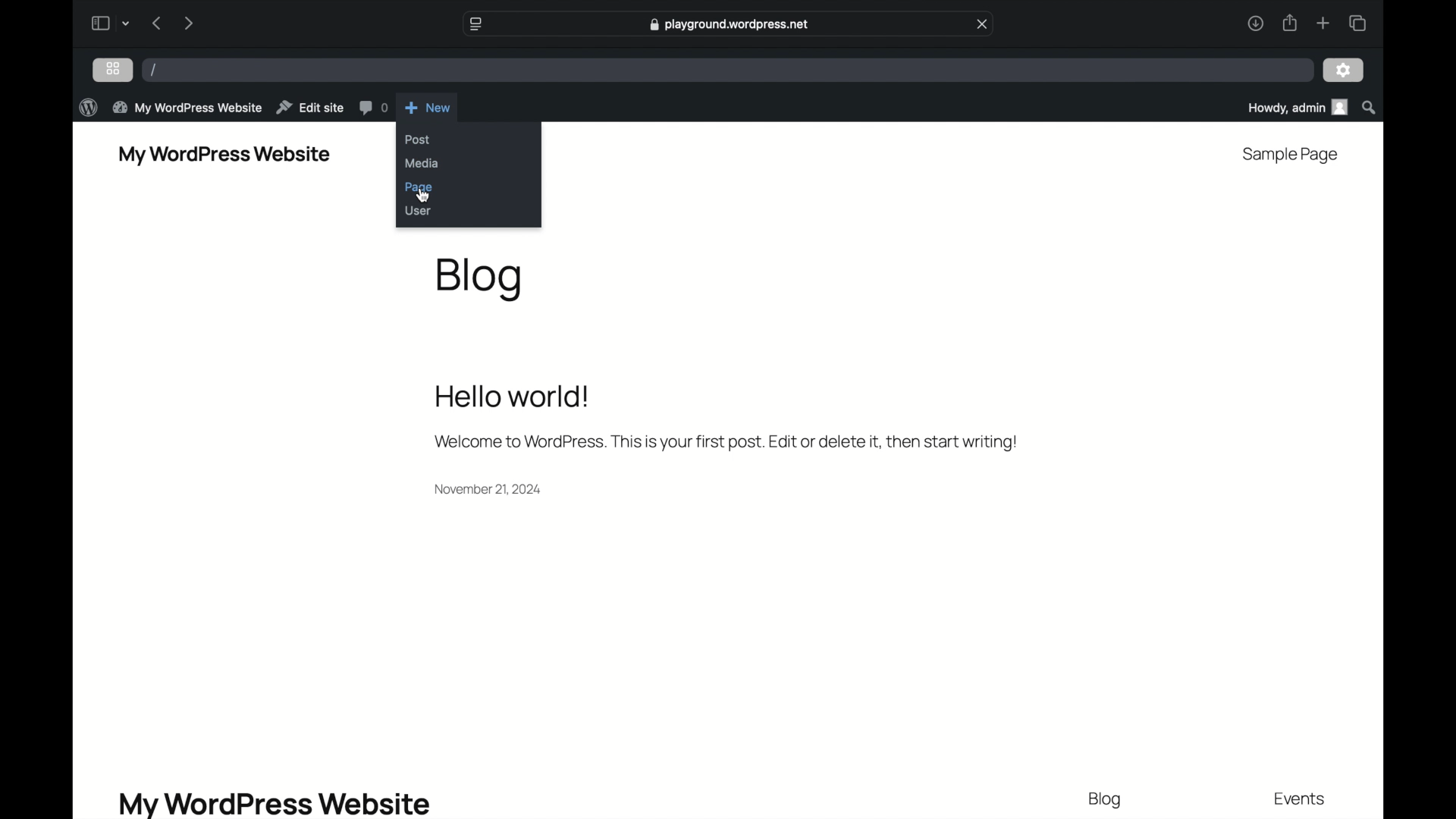 The height and width of the screenshot is (819, 1456). What do you see at coordinates (373, 107) in the screenshot?
I see `comments` at bounding box center [373, 107].